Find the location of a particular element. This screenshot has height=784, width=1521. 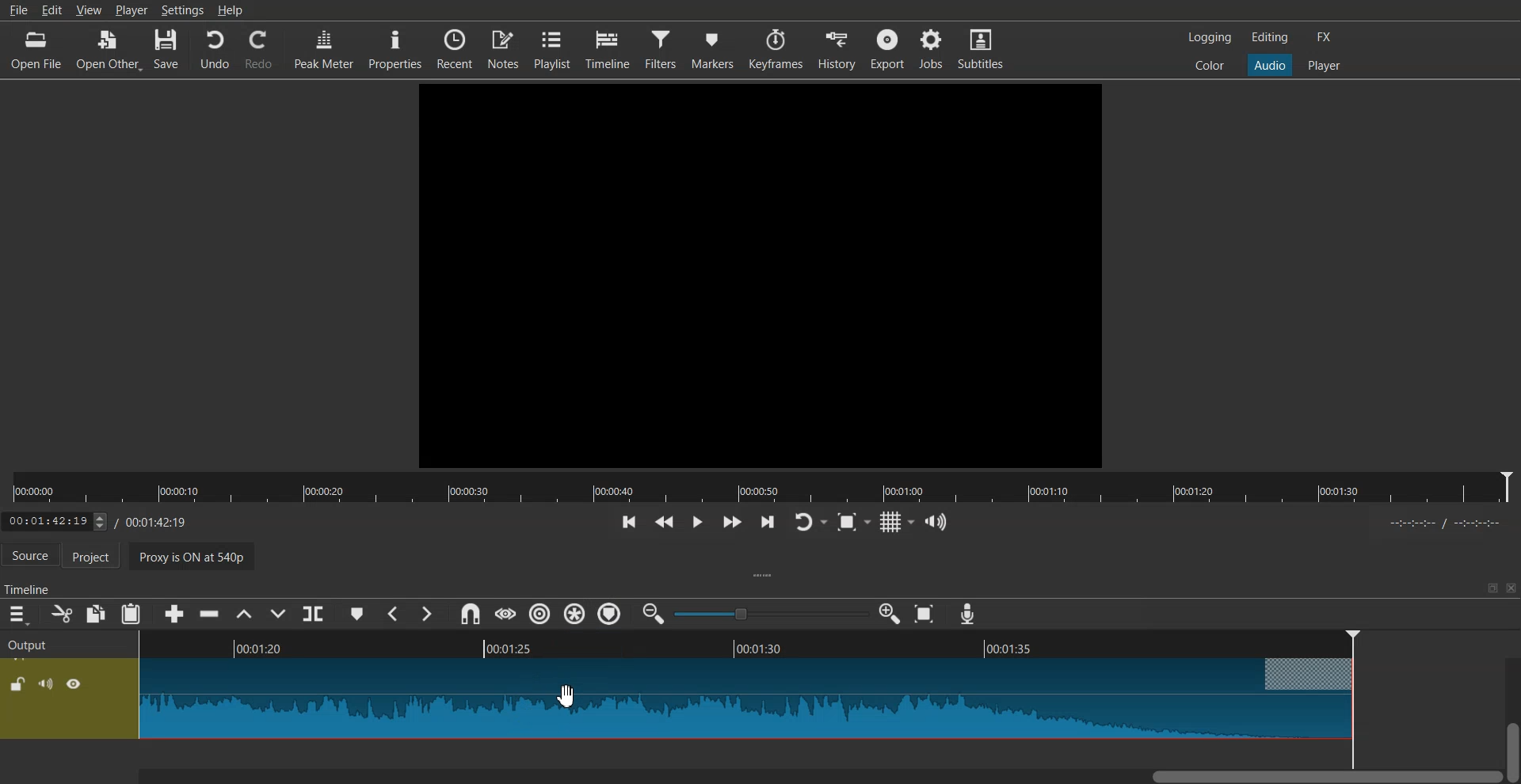

Toggle Zoom is located at coordinates (855, 523).